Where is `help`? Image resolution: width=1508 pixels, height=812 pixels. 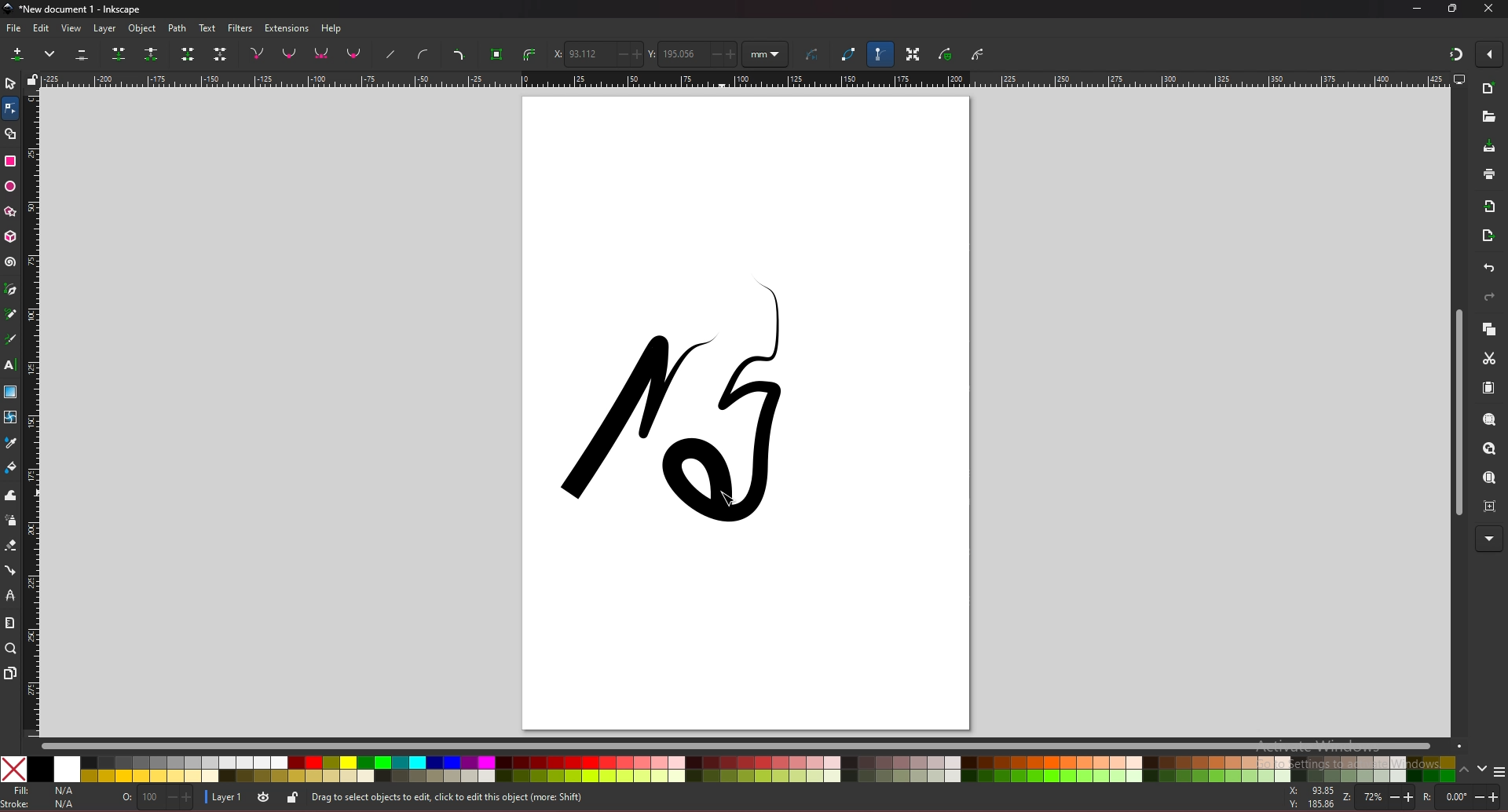 help is located at coordinates (331, 29).